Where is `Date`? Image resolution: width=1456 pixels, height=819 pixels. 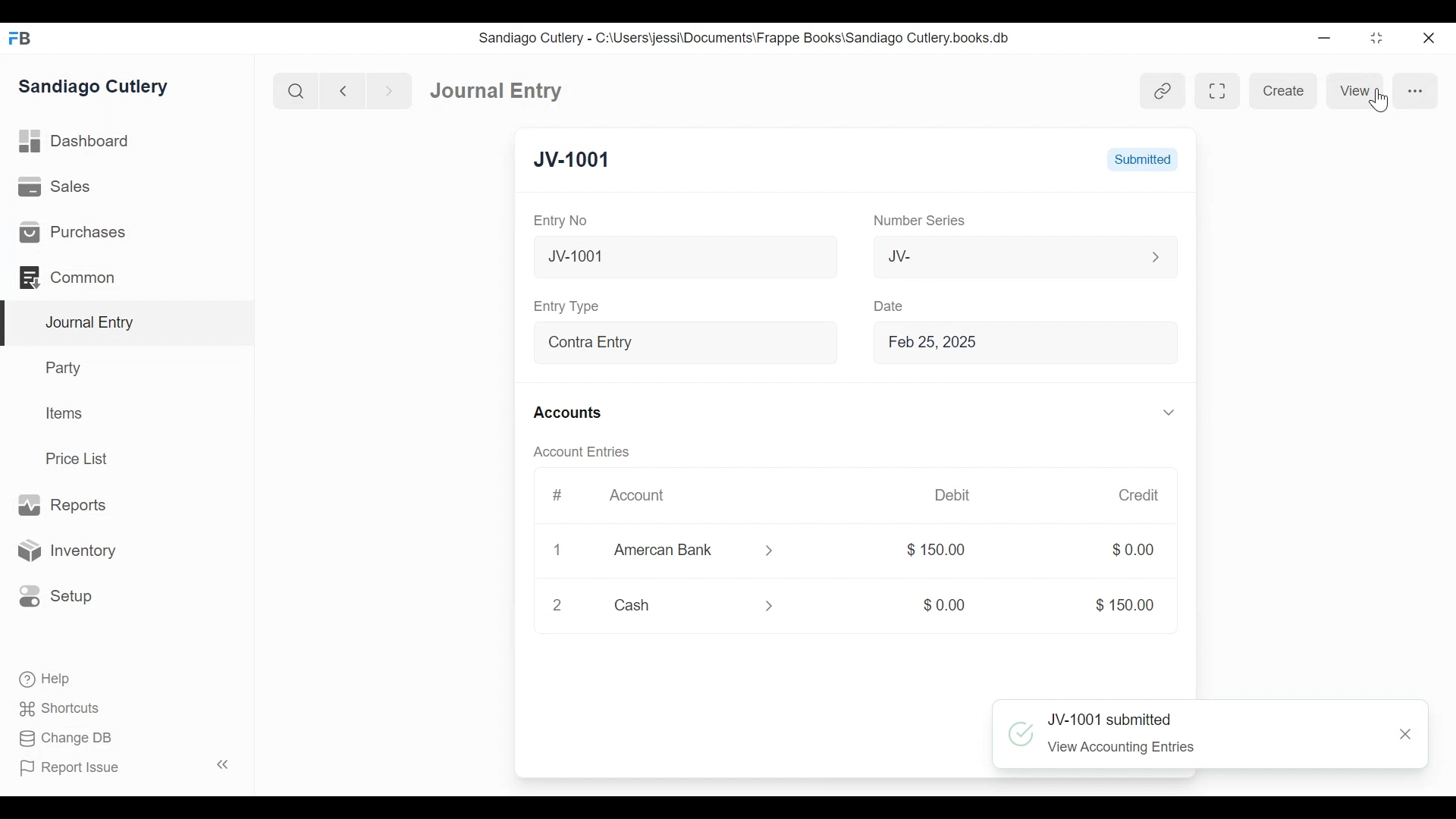 Date is located at coordinates (884, 305).